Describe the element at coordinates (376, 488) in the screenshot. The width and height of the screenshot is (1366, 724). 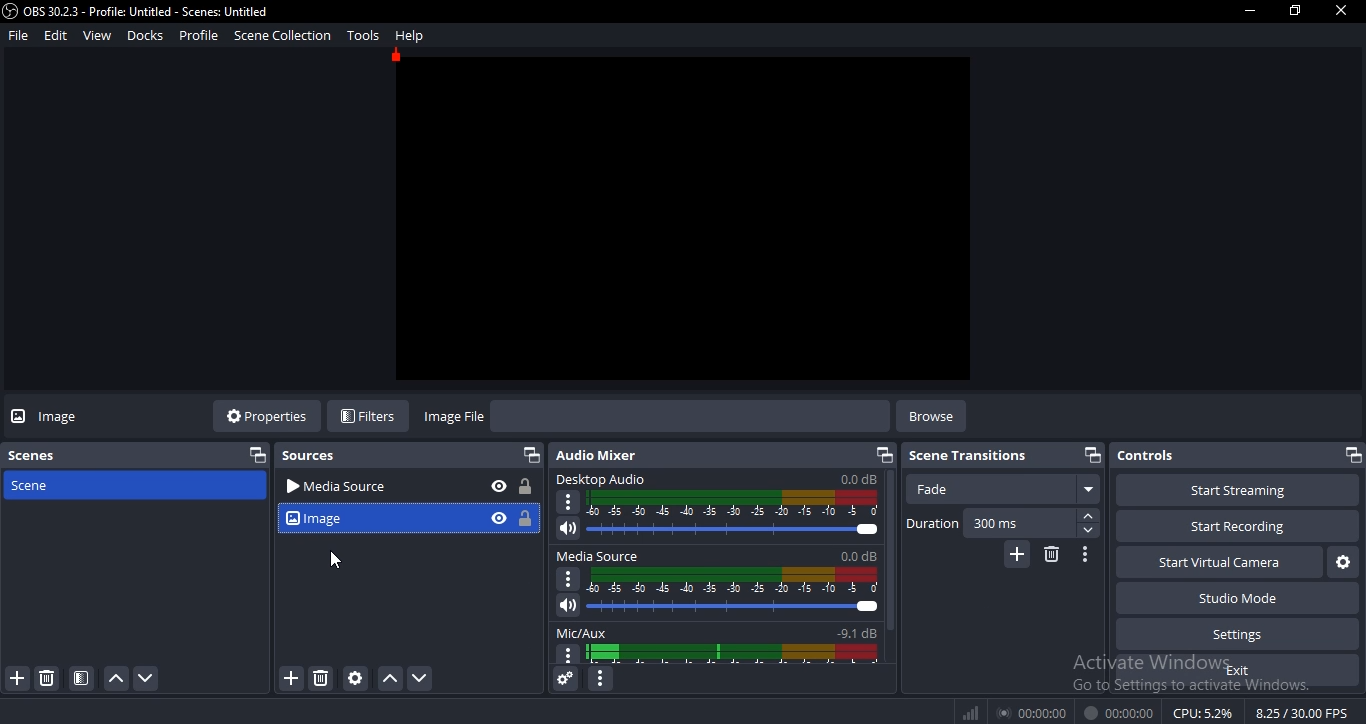
I see `media source` at that location.